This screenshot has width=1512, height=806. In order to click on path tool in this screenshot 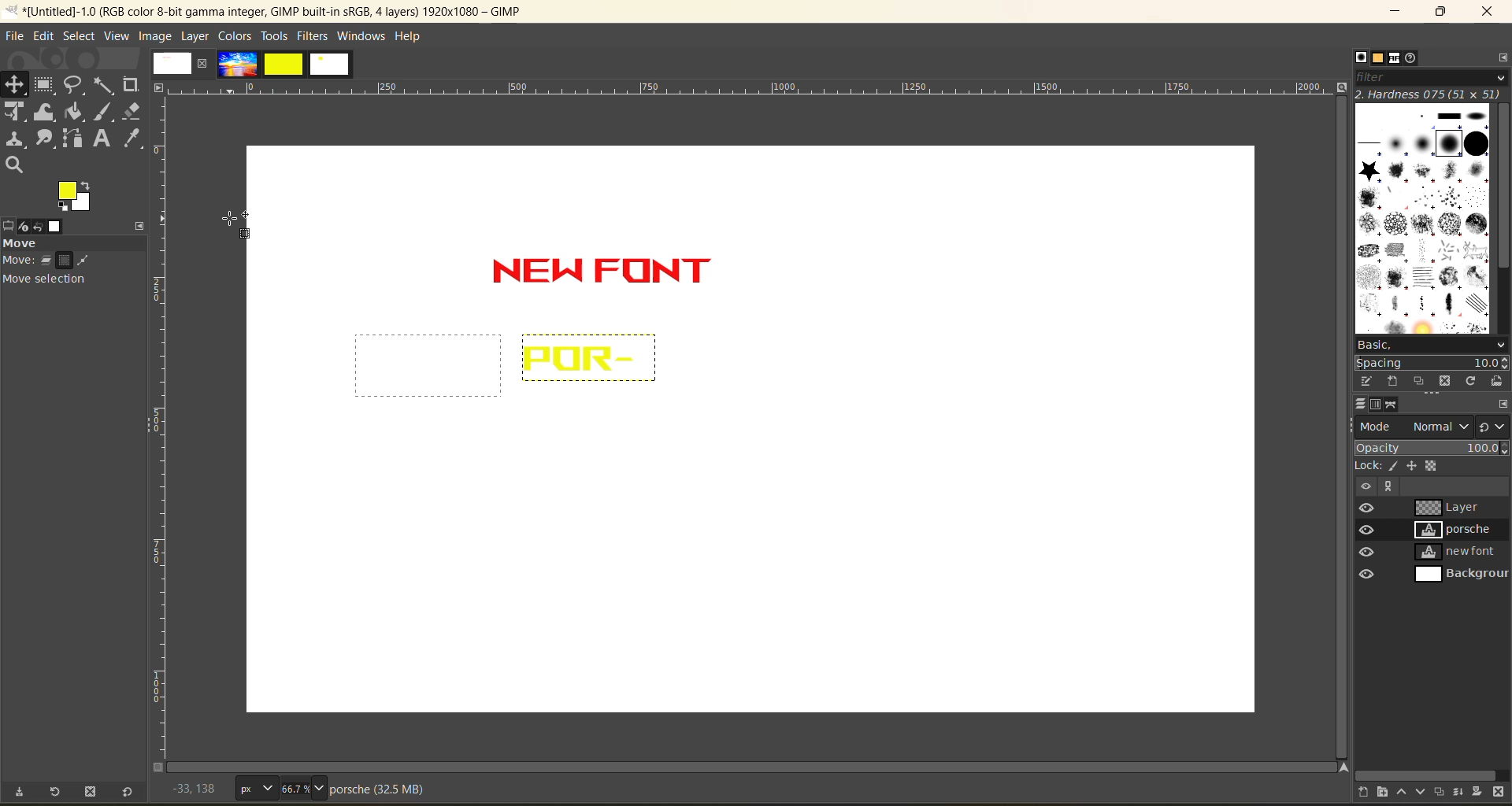, I will do `click(73, 138)`.